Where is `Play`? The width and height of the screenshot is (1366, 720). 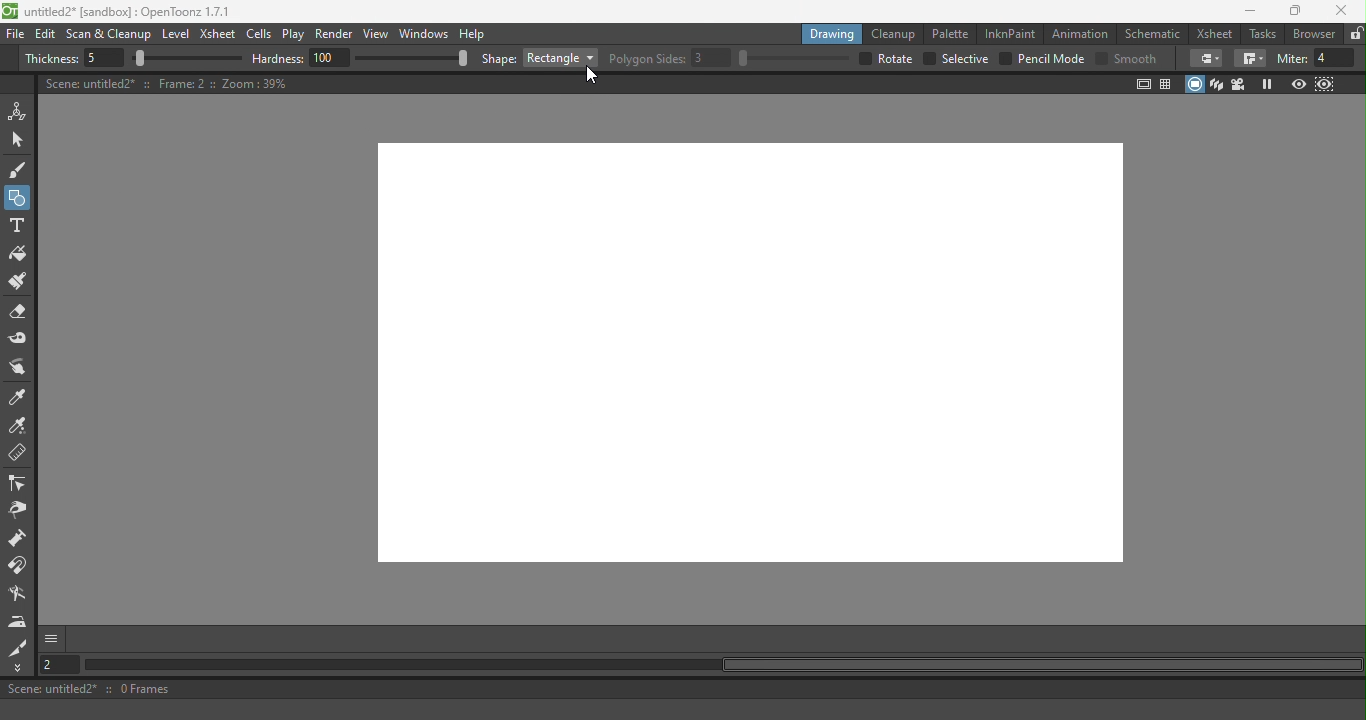 Play is located at coordinates (293, 34).